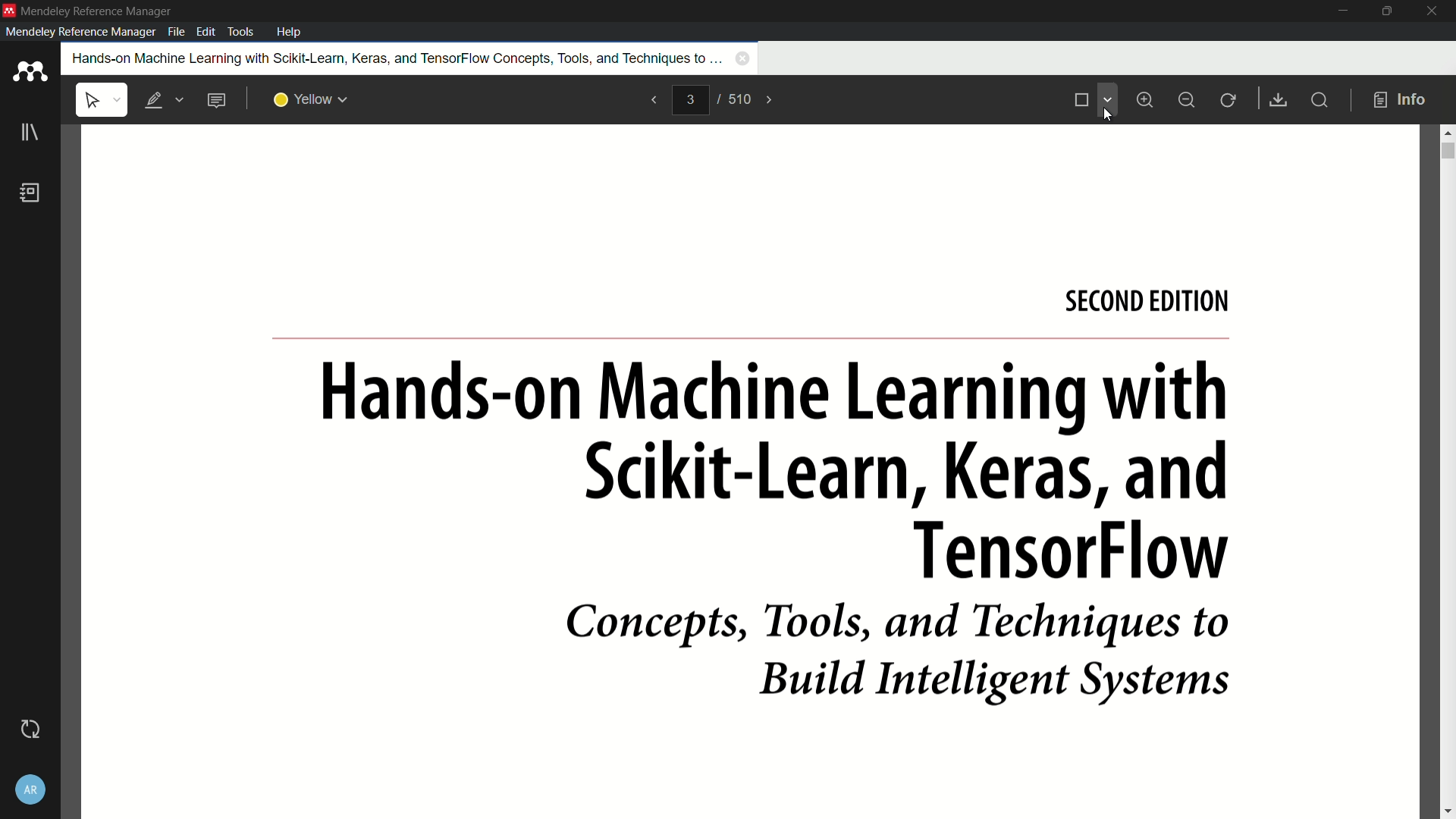 Image resolution: width=1456 pixels, height=819 pixels. Describe the element at coordinates (34, 728) in the screenshot. I see `sync` at that location.